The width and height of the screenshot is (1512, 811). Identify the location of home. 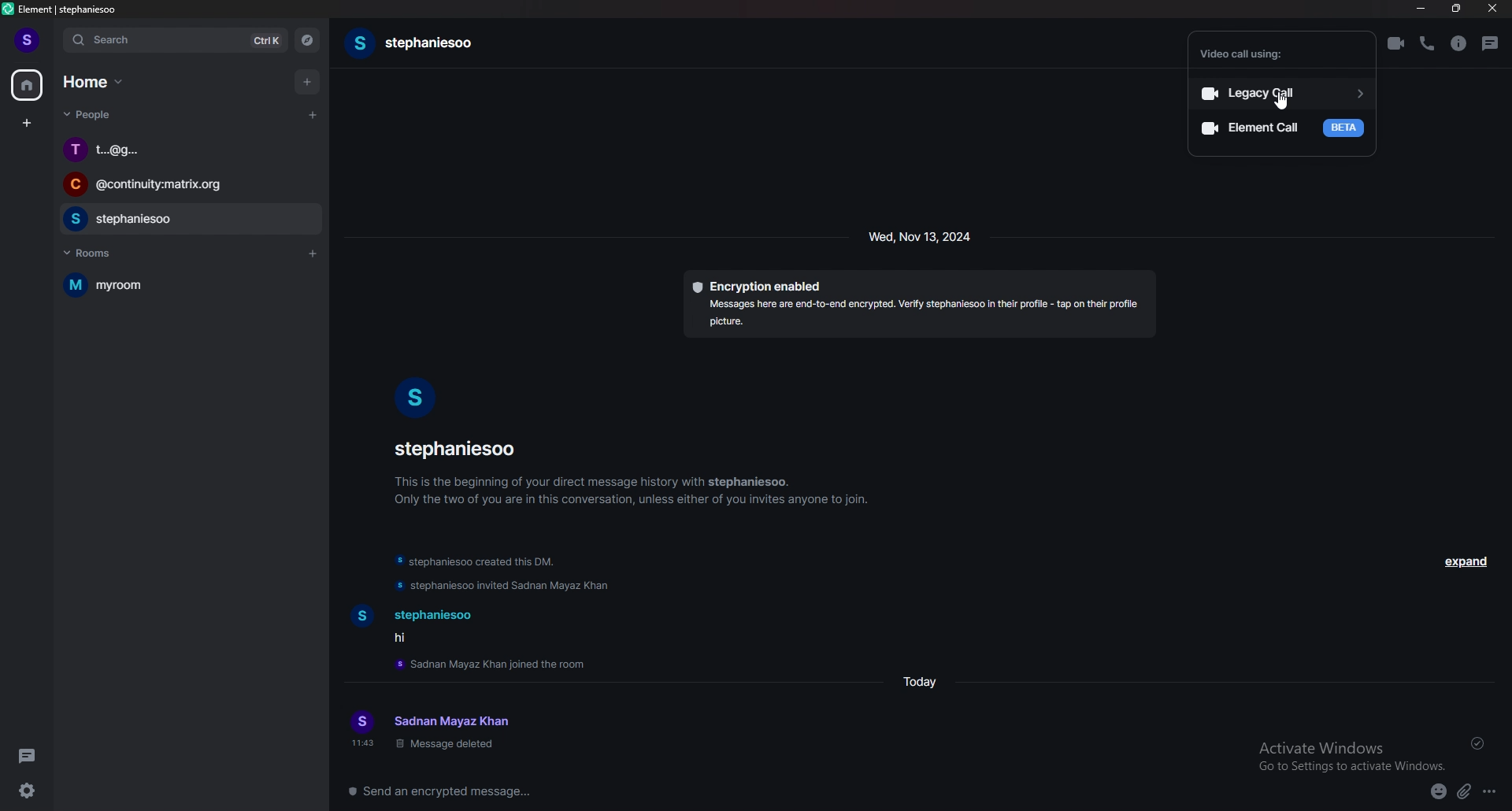
(28, 85).